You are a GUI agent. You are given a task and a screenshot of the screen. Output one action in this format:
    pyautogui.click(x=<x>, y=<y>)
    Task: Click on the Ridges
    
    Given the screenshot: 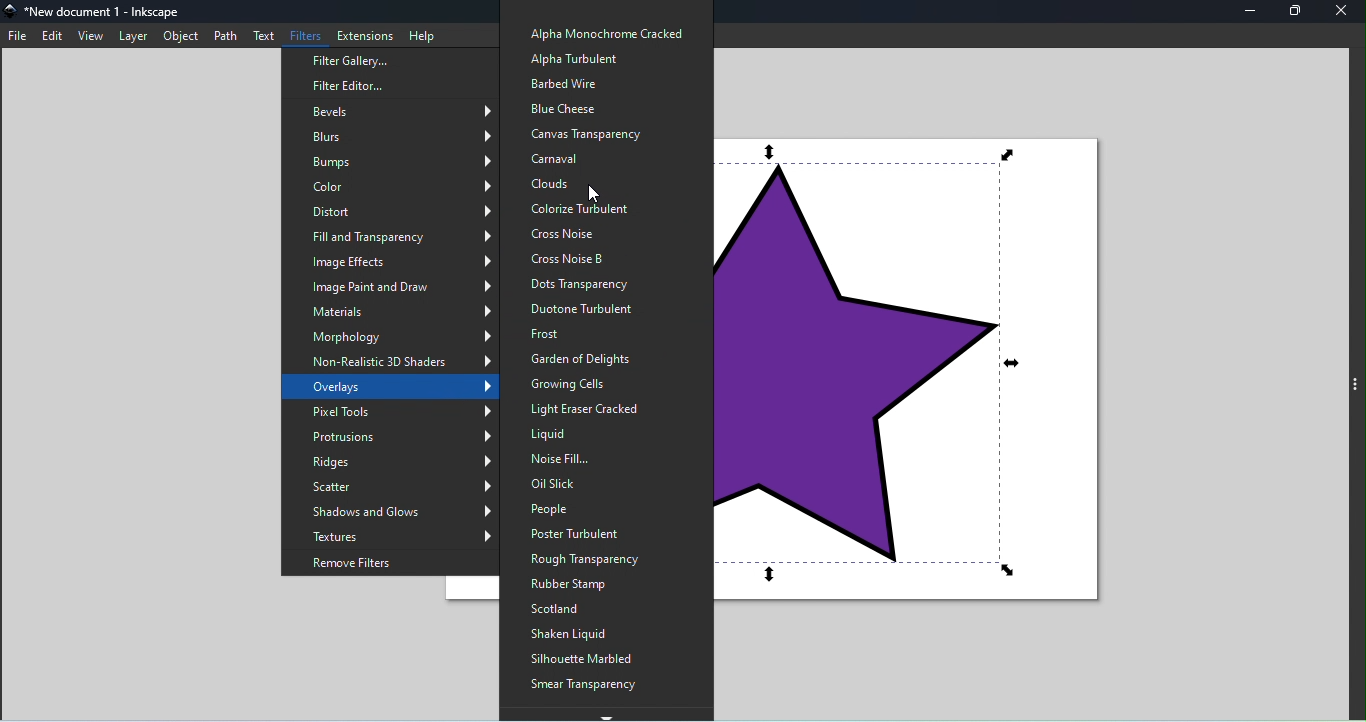 What is the action you would take?
    pyautogui.click(x=397, y=465)
    